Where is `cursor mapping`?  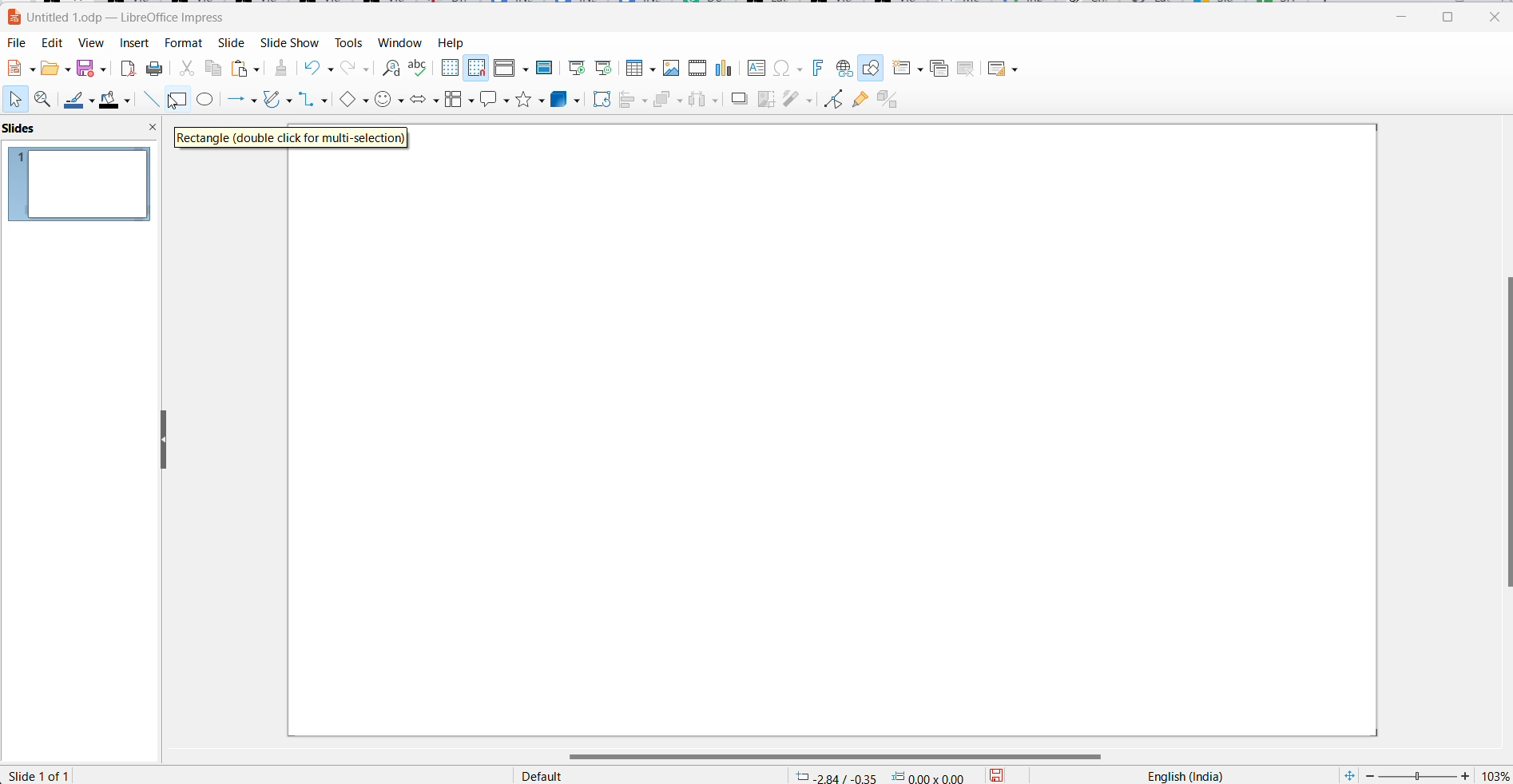 cursor mapping is located at coordinates (882, 775).